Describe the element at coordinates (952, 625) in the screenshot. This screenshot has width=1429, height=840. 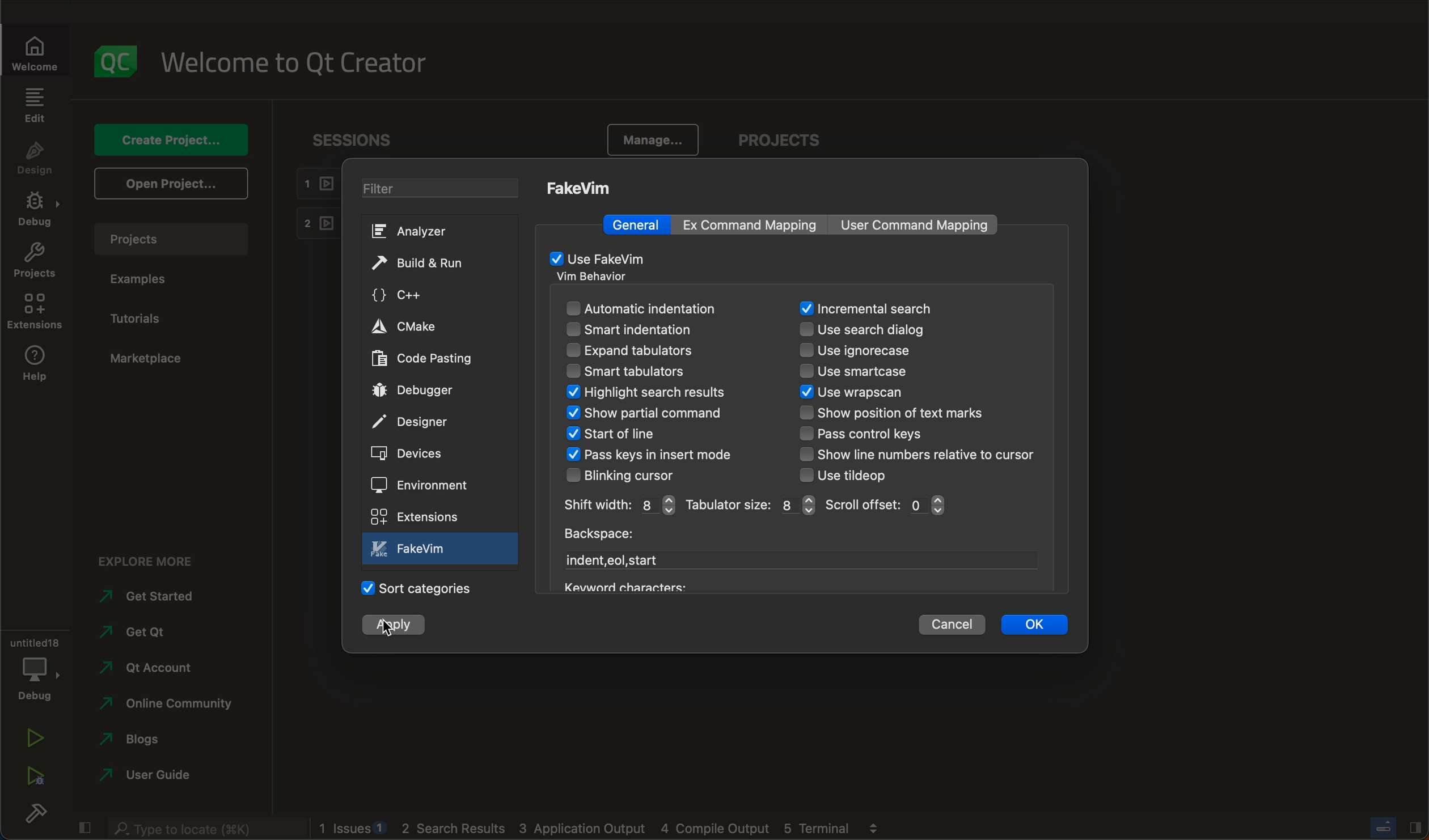
I see `cancel` at that location.